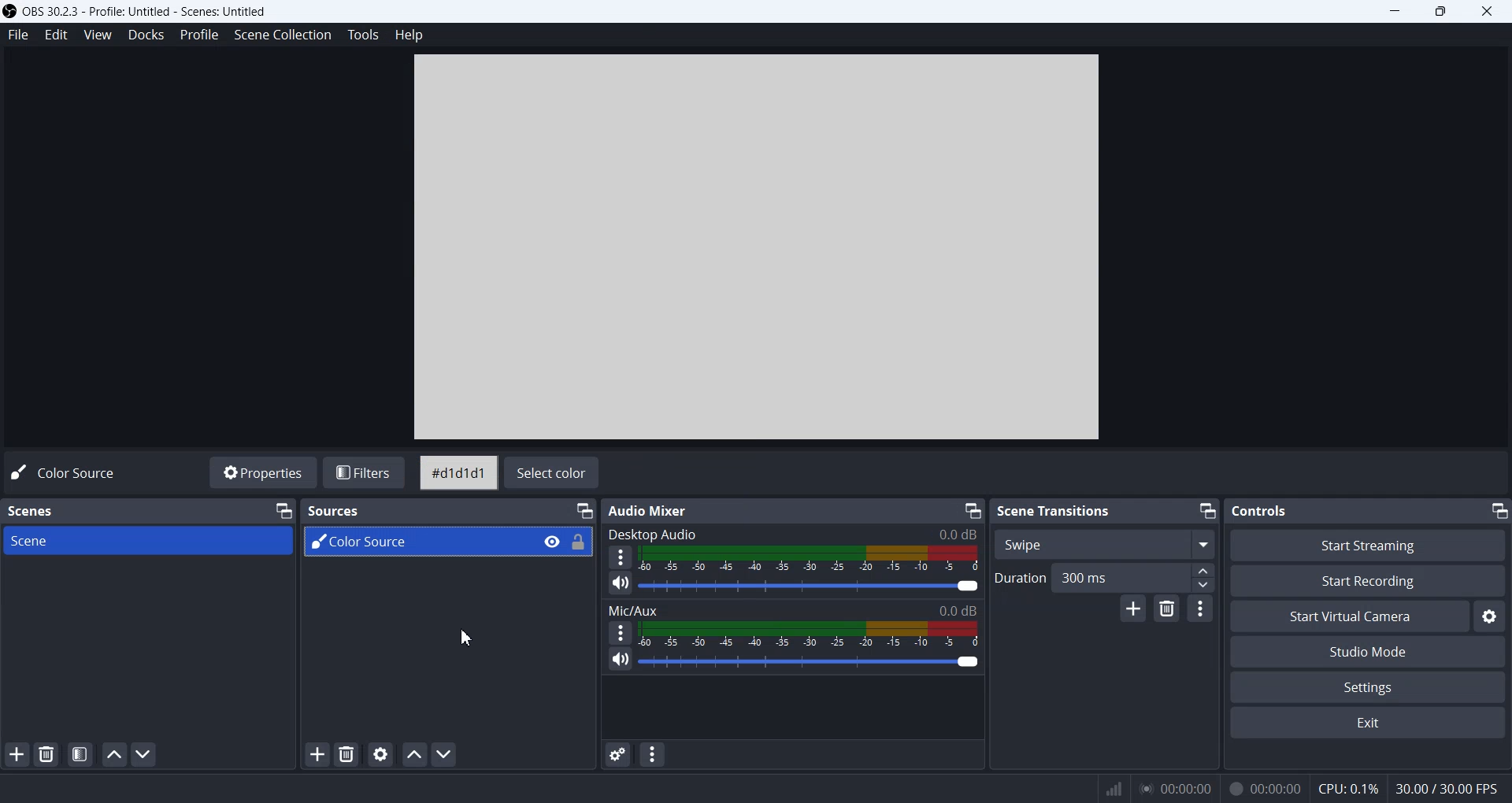 Image resolution: width=1512 pixels, height=803 pixels. Describe the element at coordinates (411, 34) in the screenshot. I see `Help` at that location.